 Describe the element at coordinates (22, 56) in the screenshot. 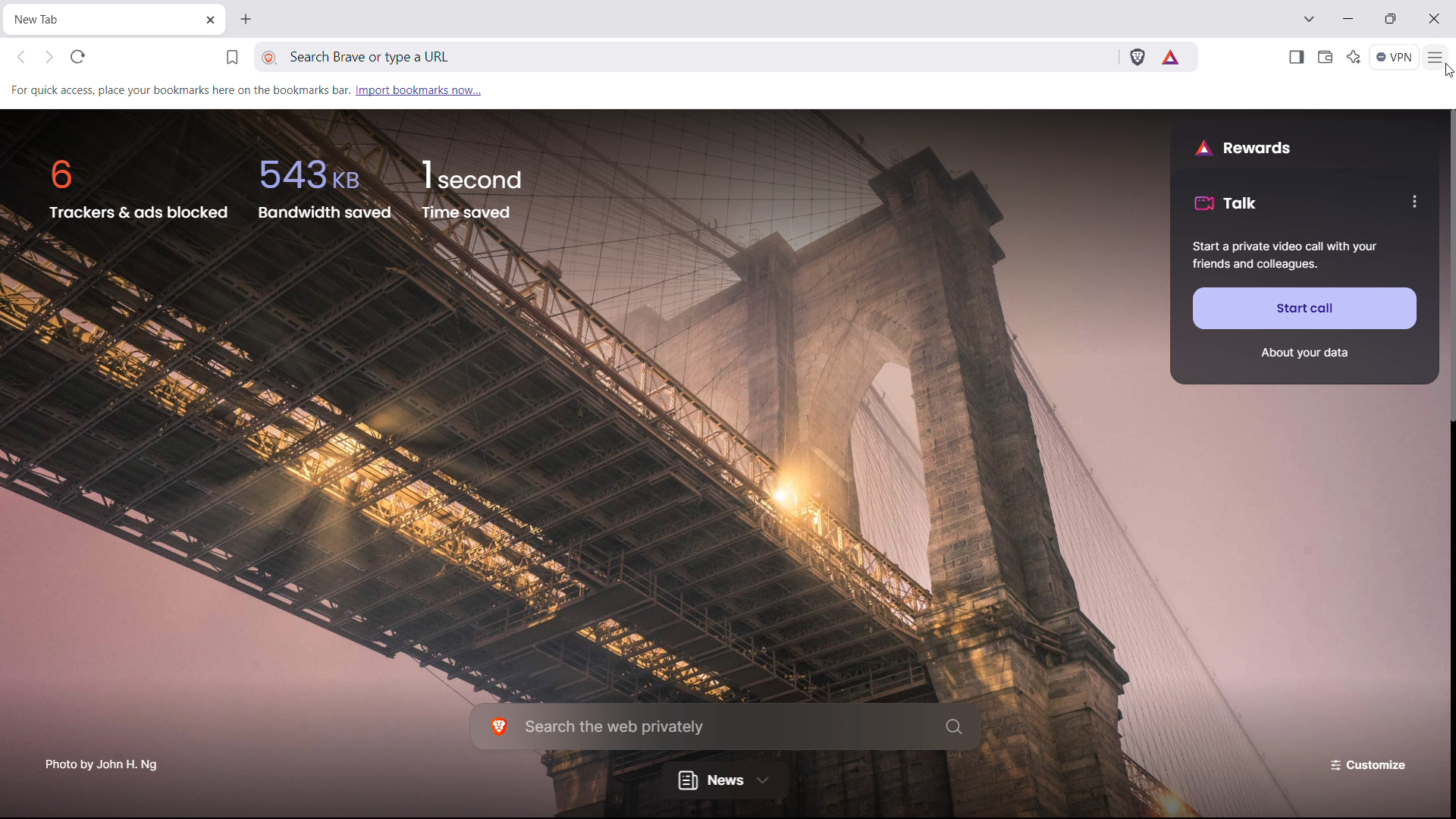

I see `click to go back hold to see history ` at that location.